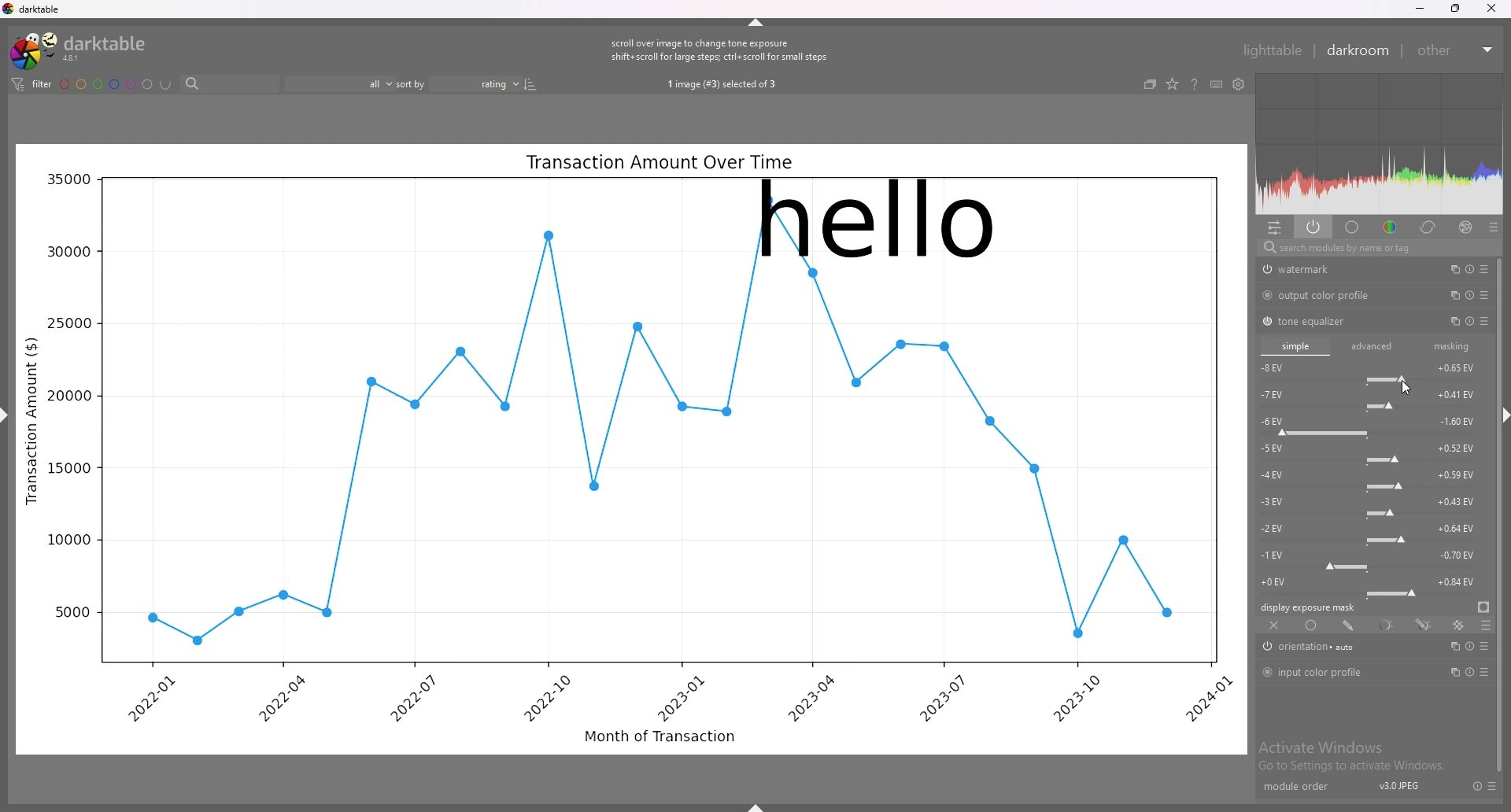  Describe the element at coordinates (1273, 50) in the screenshot. I see `lighttable` at that location.